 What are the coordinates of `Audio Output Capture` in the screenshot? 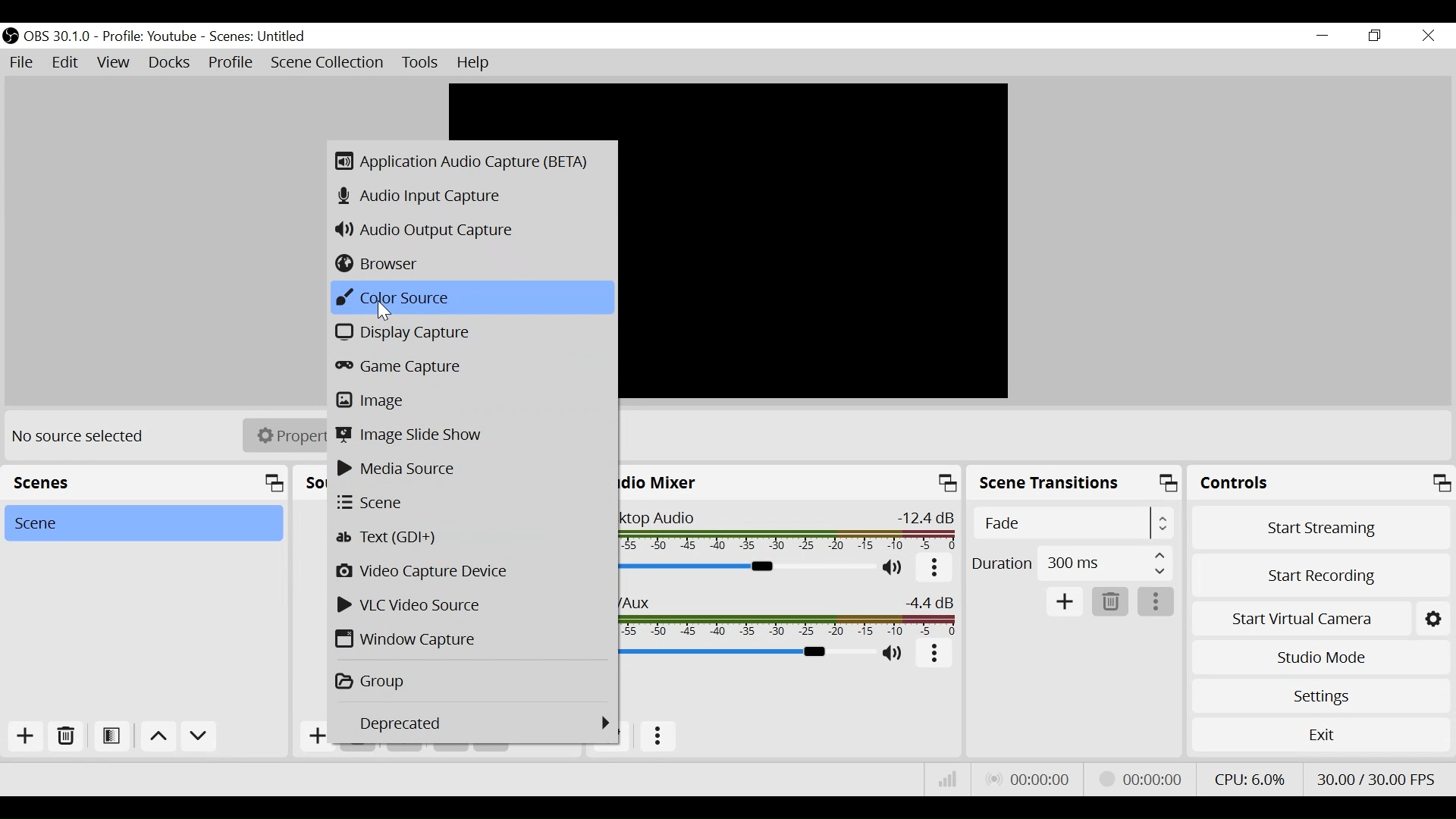 It's located at (467, 229).